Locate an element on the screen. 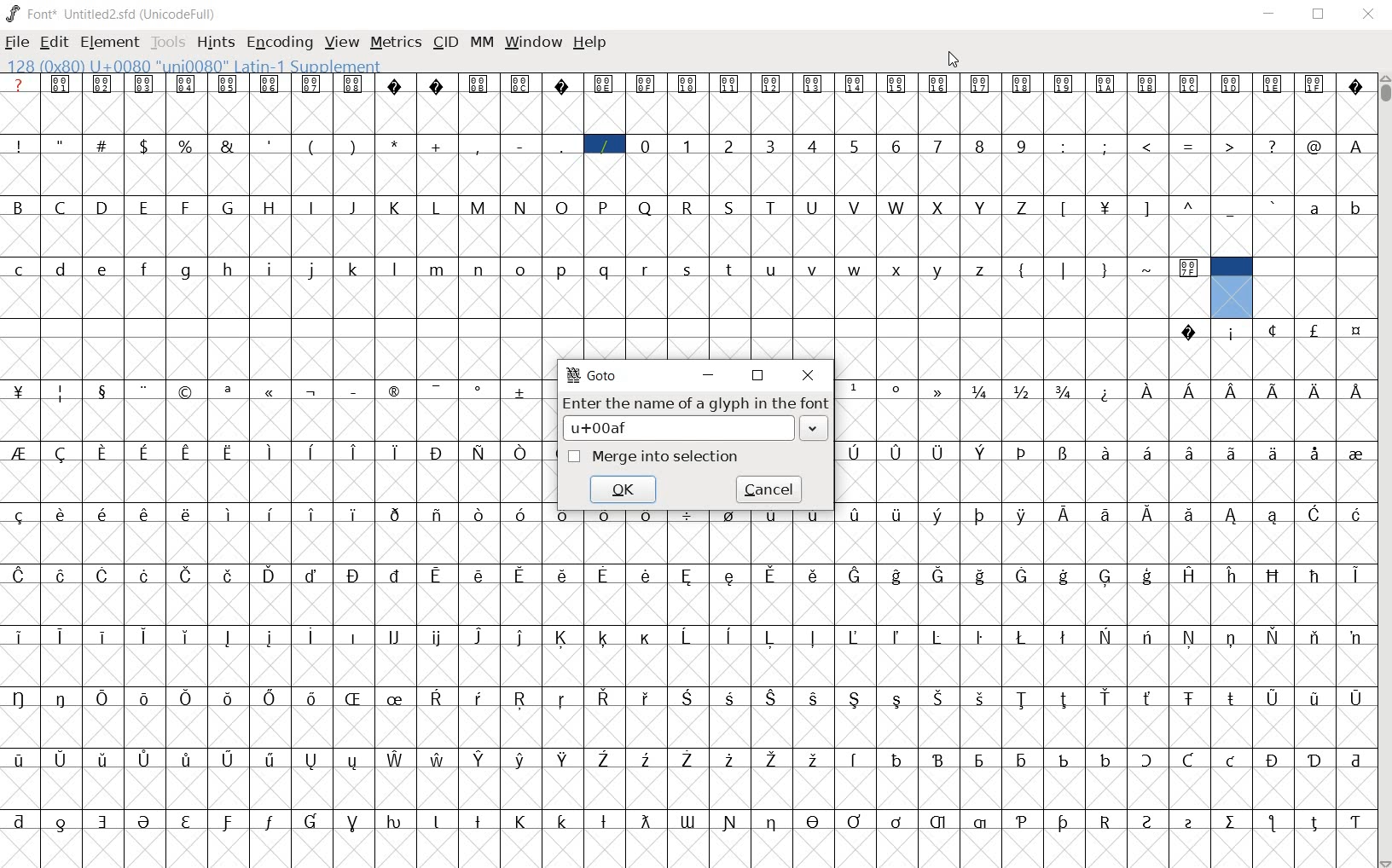  Symbol is located at coordinates (1024, 636).